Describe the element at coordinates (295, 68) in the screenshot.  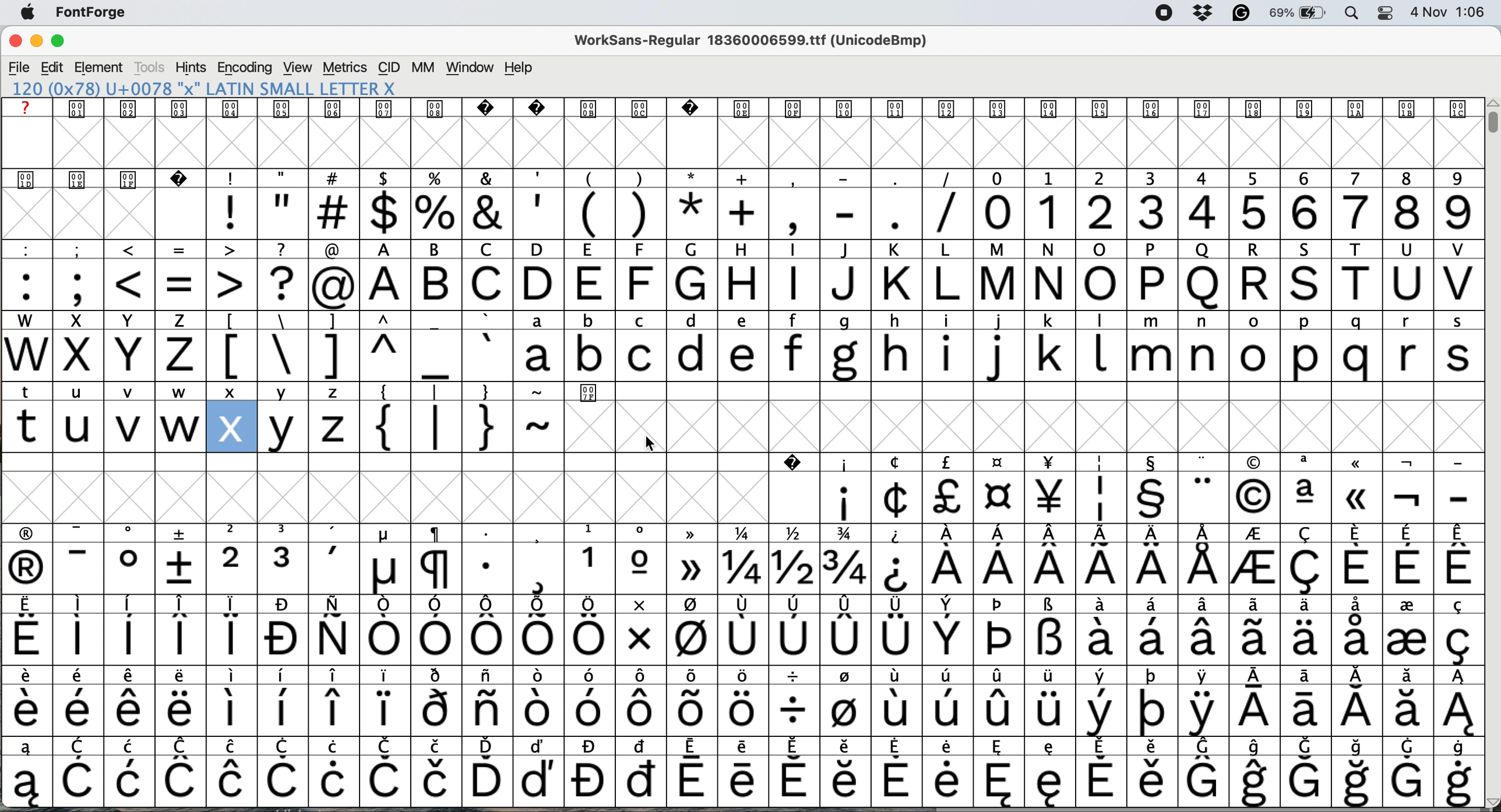
I see `view` at that location.